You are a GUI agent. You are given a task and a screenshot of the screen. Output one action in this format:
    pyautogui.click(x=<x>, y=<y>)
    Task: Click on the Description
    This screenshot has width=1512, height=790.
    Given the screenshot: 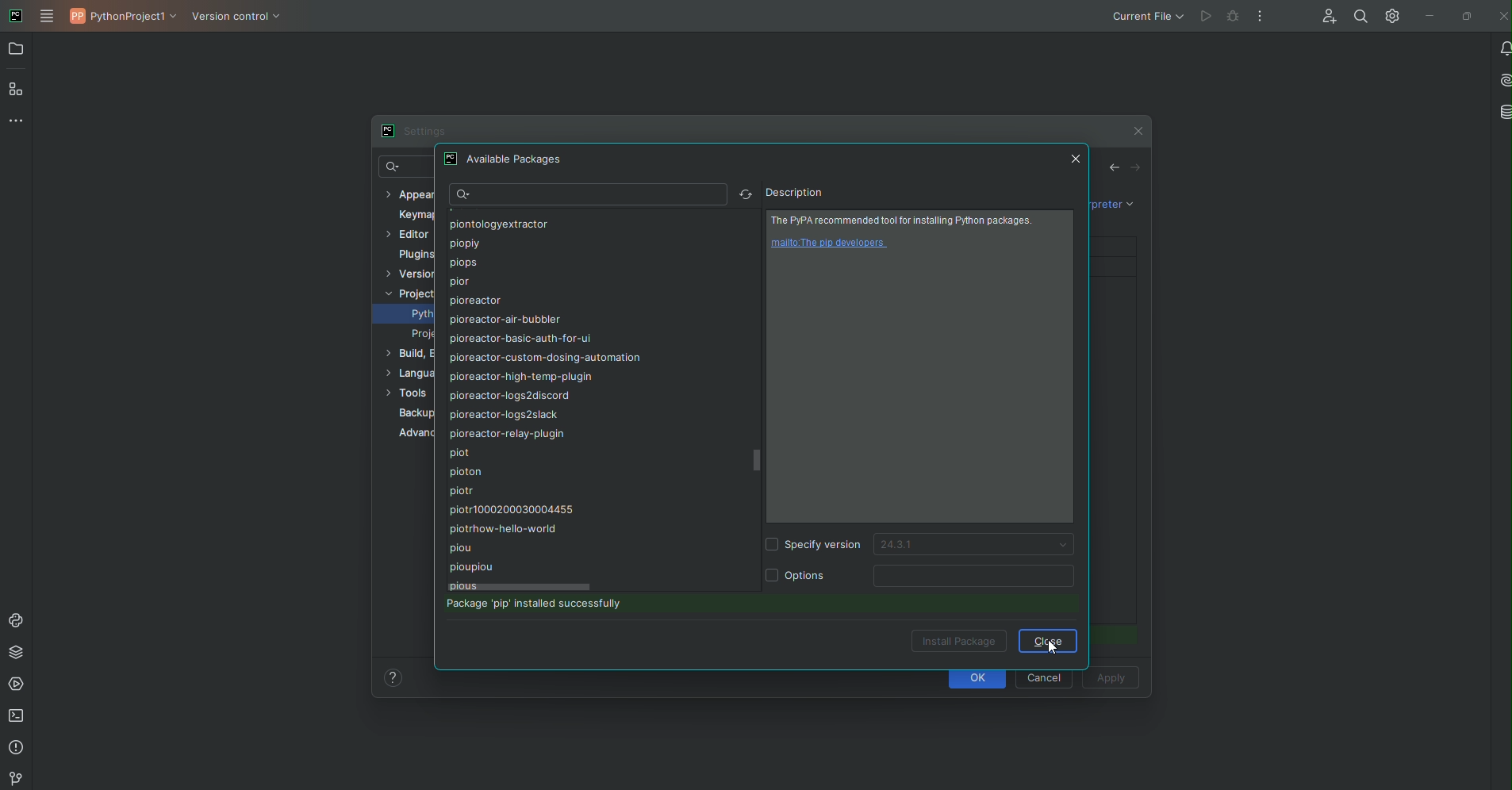 What is the action you would take?
    pyautogui.click(x=793, y=193)
    